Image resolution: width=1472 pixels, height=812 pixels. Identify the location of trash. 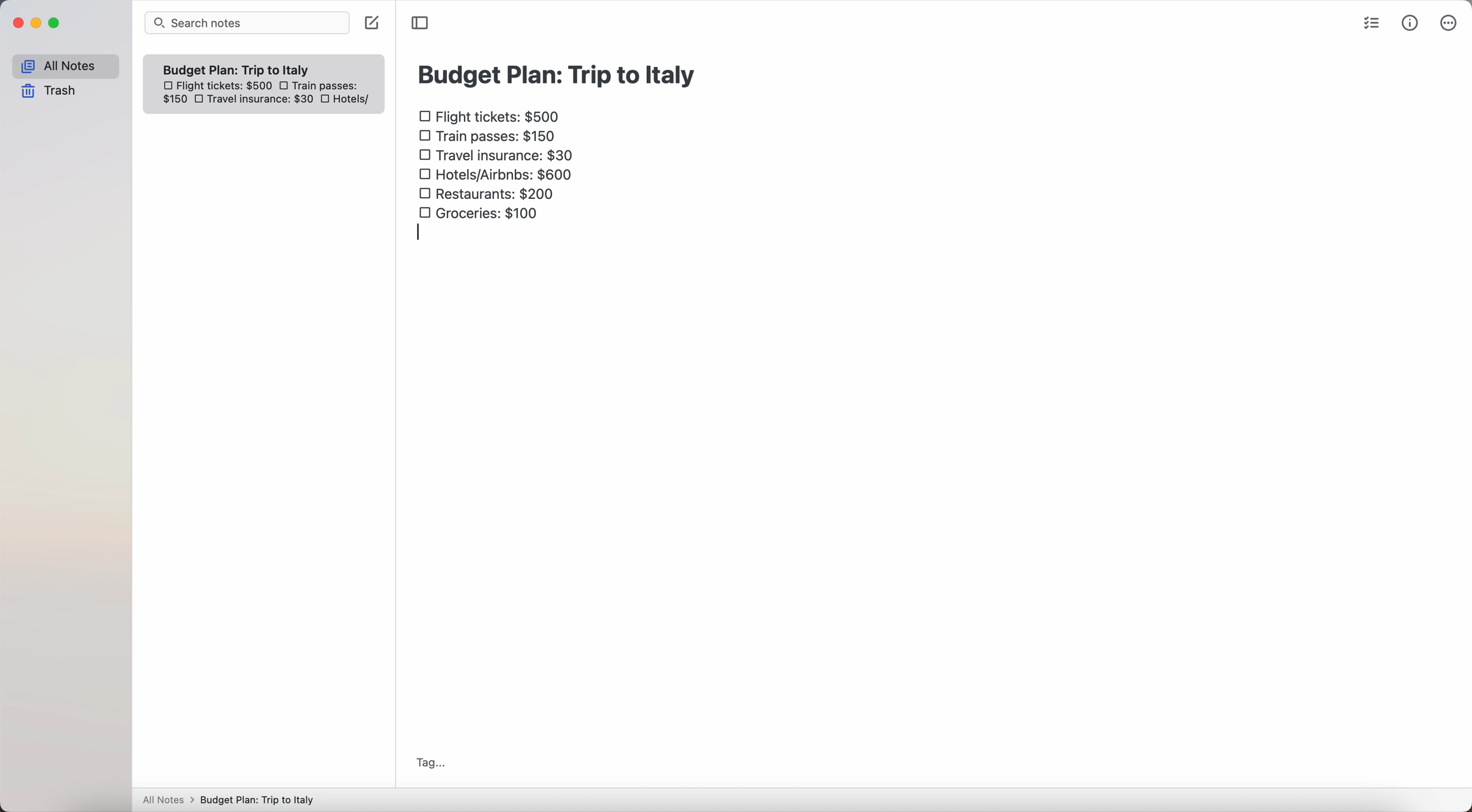
(49, 91).